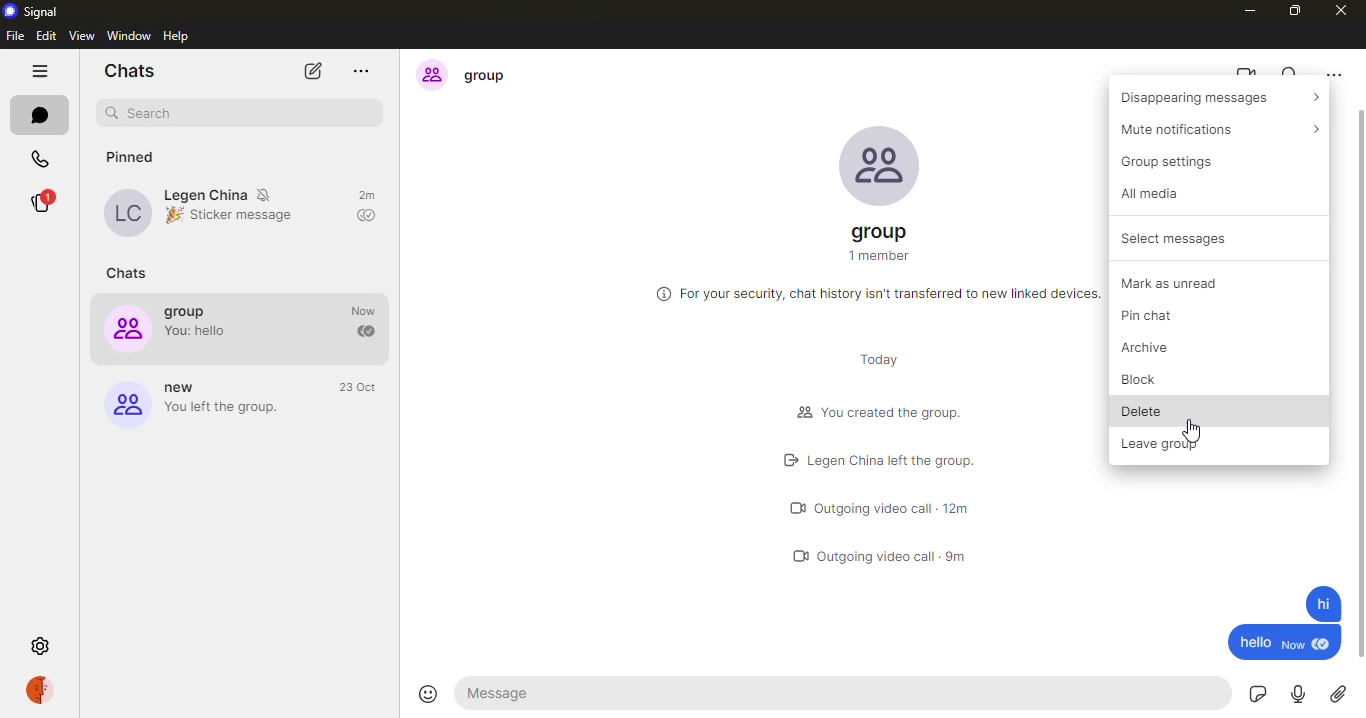  What do you see at coordinates (898, 553) in the screenshot?
I see `outgoing video call 9m` at bounding box center [898, 553].